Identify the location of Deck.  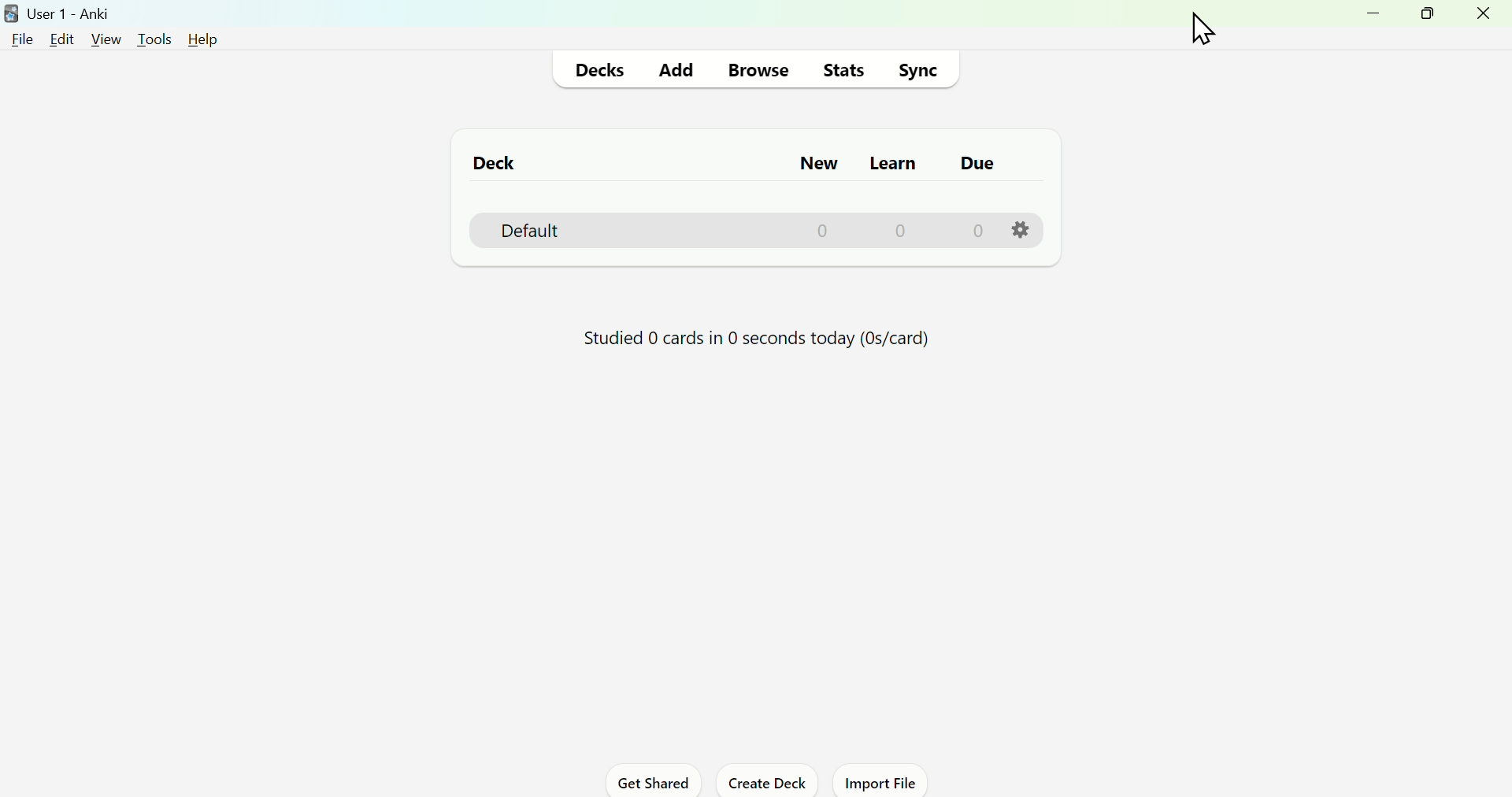
(490, 163).